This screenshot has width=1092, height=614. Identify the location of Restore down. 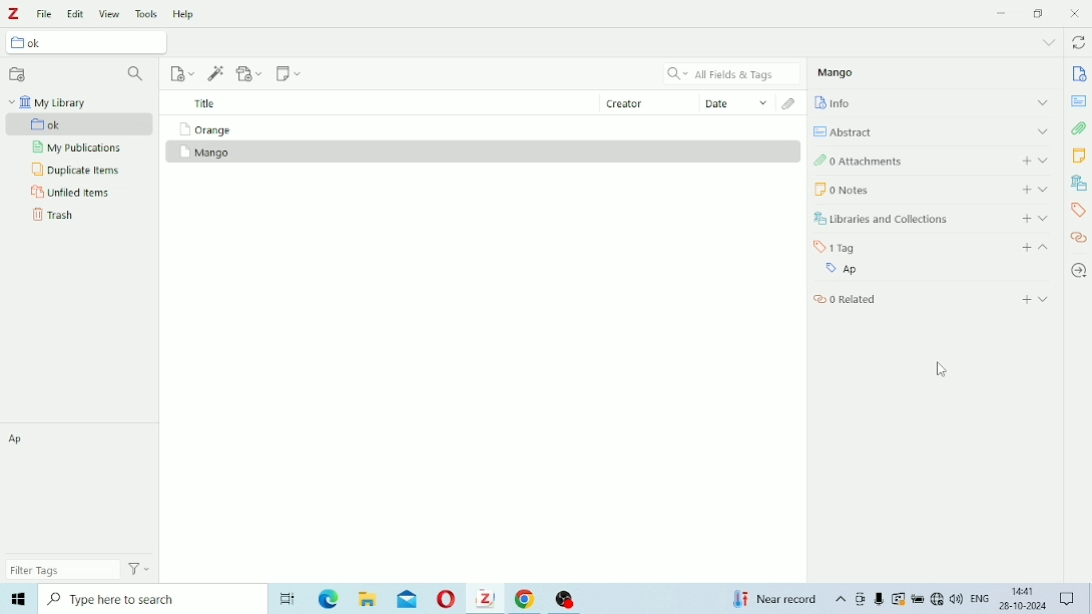
(1039, 15).